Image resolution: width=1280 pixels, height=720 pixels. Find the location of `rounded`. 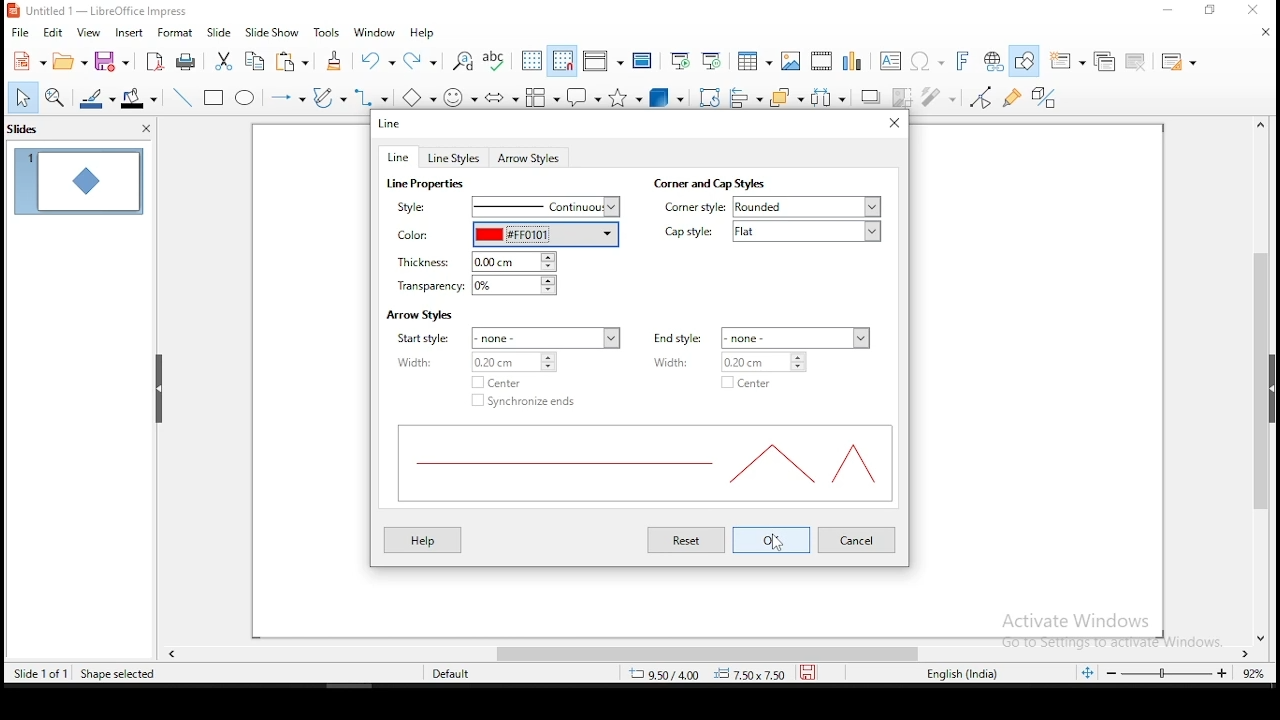

rounded is located at coordinates (808, 207).